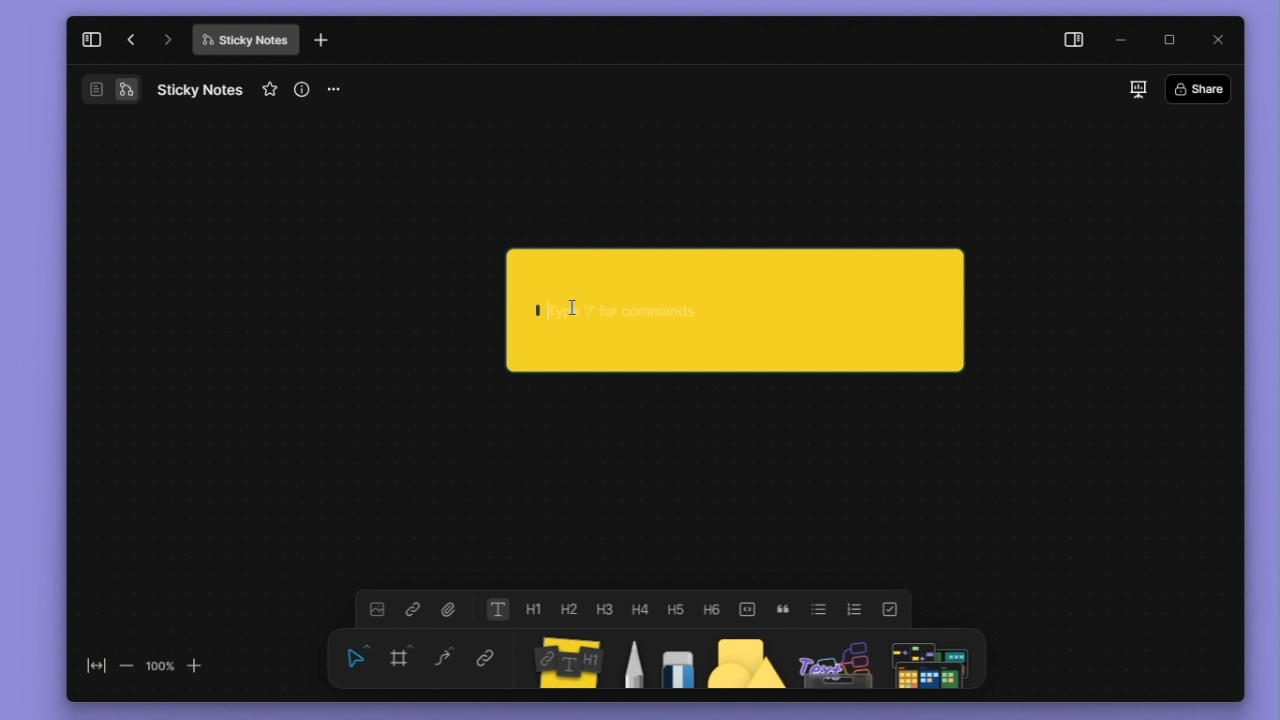 Image resolution: width=1280 pixels, height=720 pixels. What do you see at coordinates (91, 47) in the screenshot?
I see `collapse sidebar` at bounding box center [91, 47].